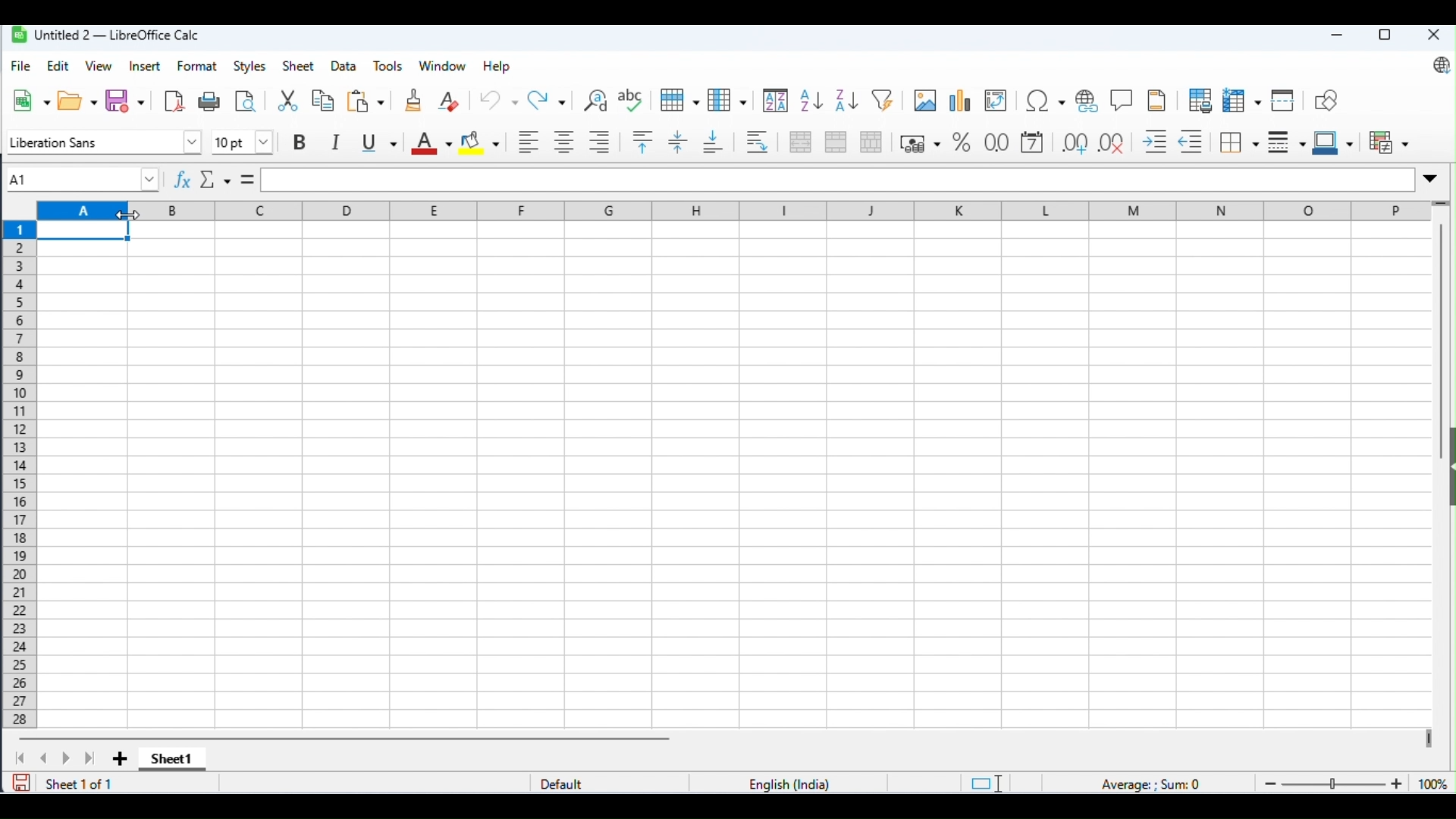 The height and width of the screenshot is (819, 1456). Describe the element at coordinates (872, 141) in the screenshot. I see `unmerge cells` at that location.